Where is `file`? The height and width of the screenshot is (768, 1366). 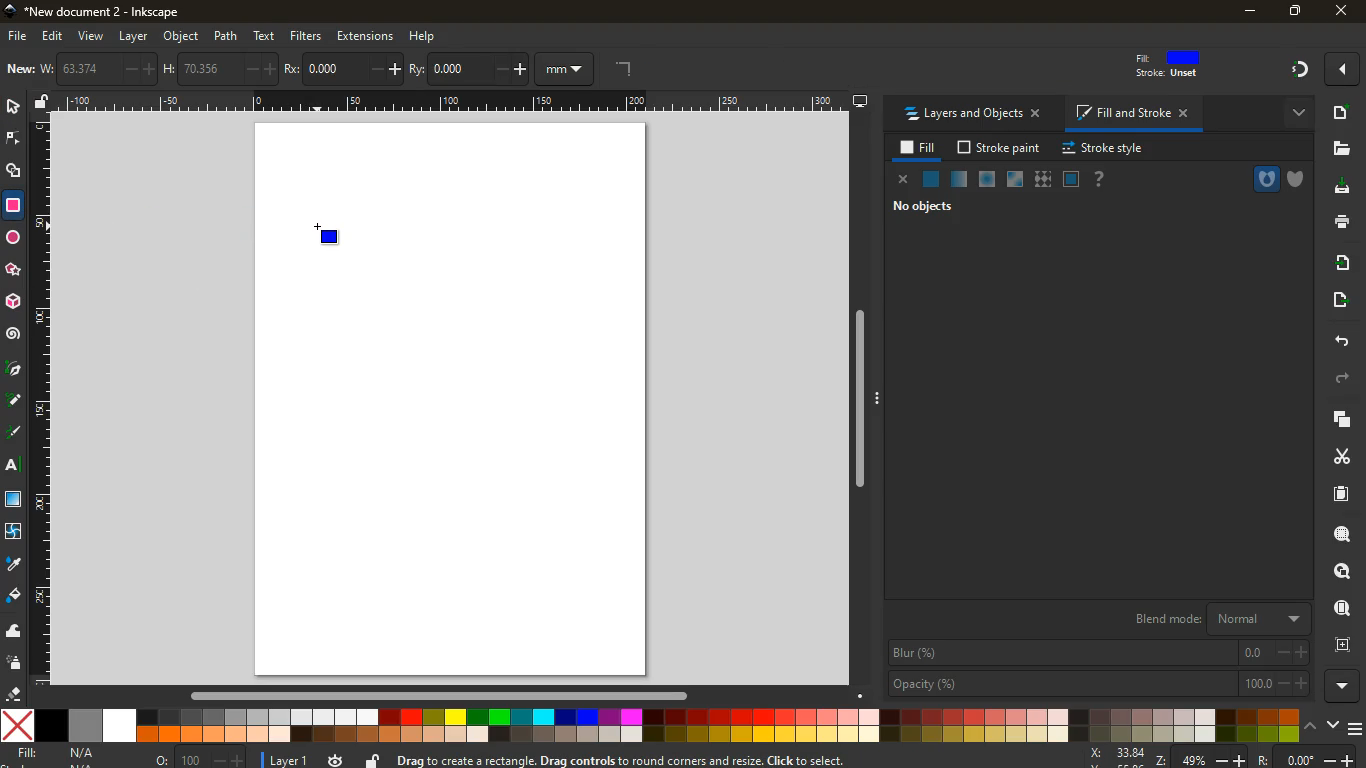
file is located at coordinates (15, 37).